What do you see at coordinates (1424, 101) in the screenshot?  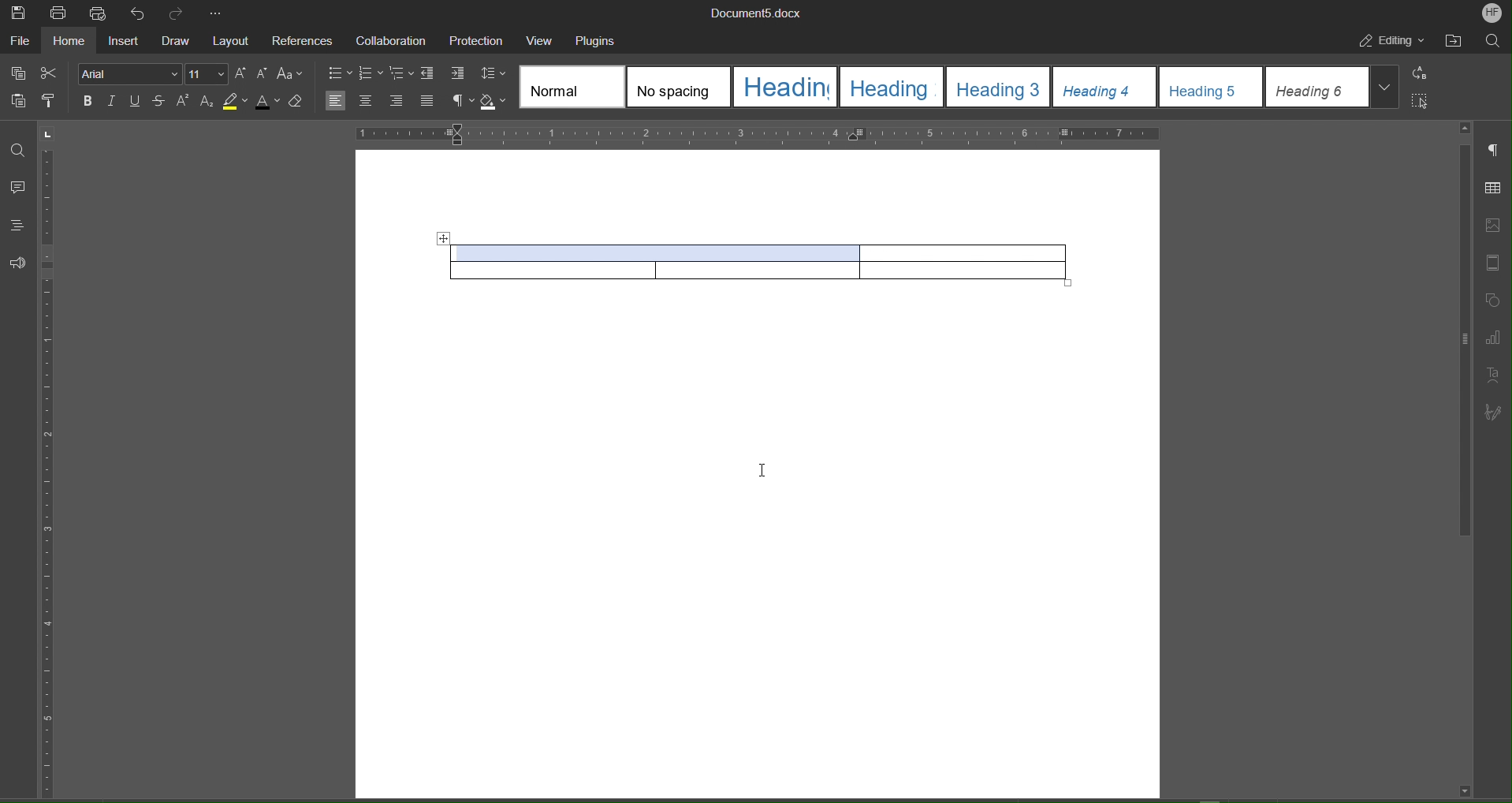 I see `Select All` at bounding box center [1424, 101].